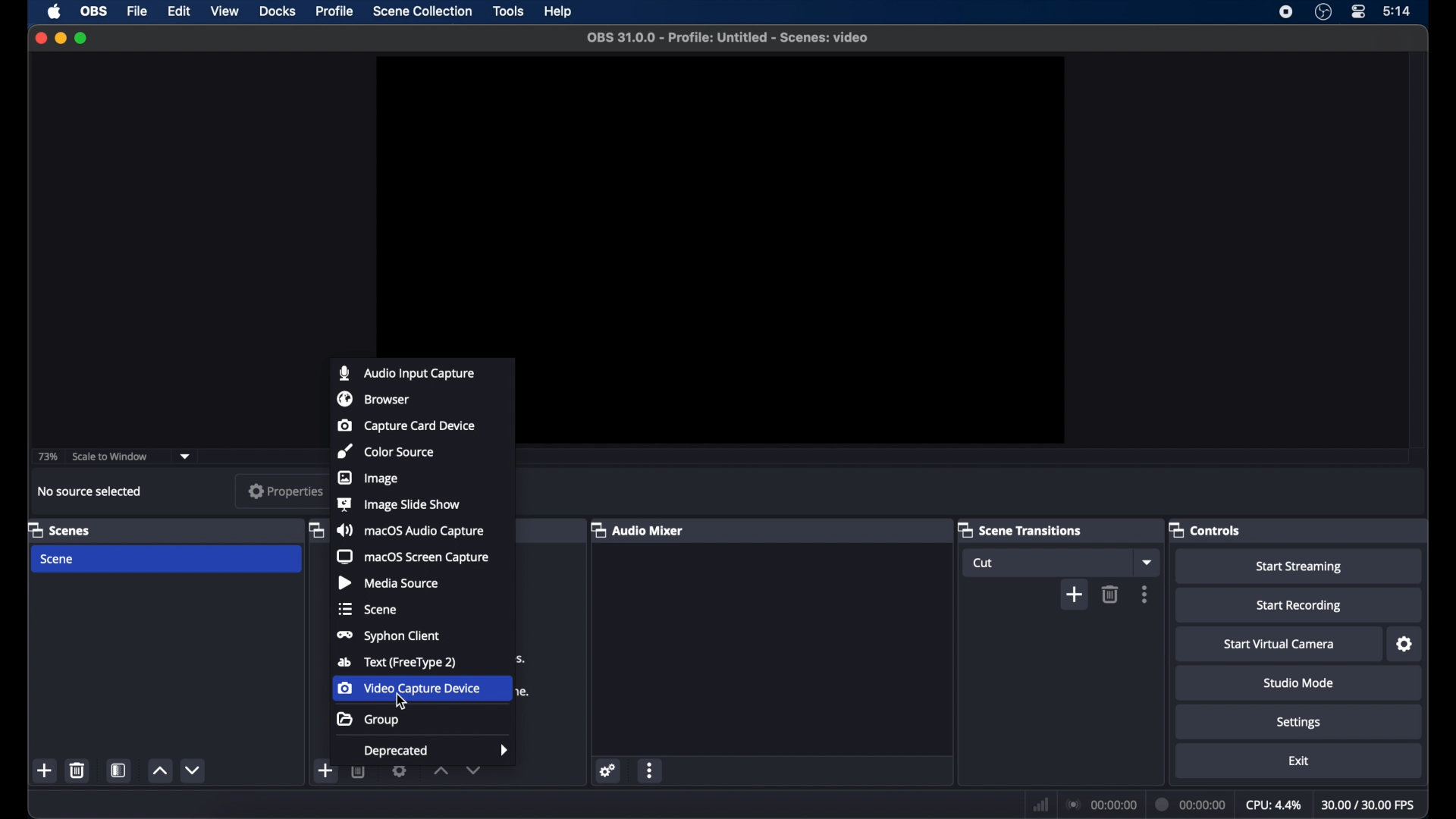 The image size is (1456, 819). What do you see at coordinates (55, 11) in the screenshot?
I see `apple icon` at bounding box center [55, 11].